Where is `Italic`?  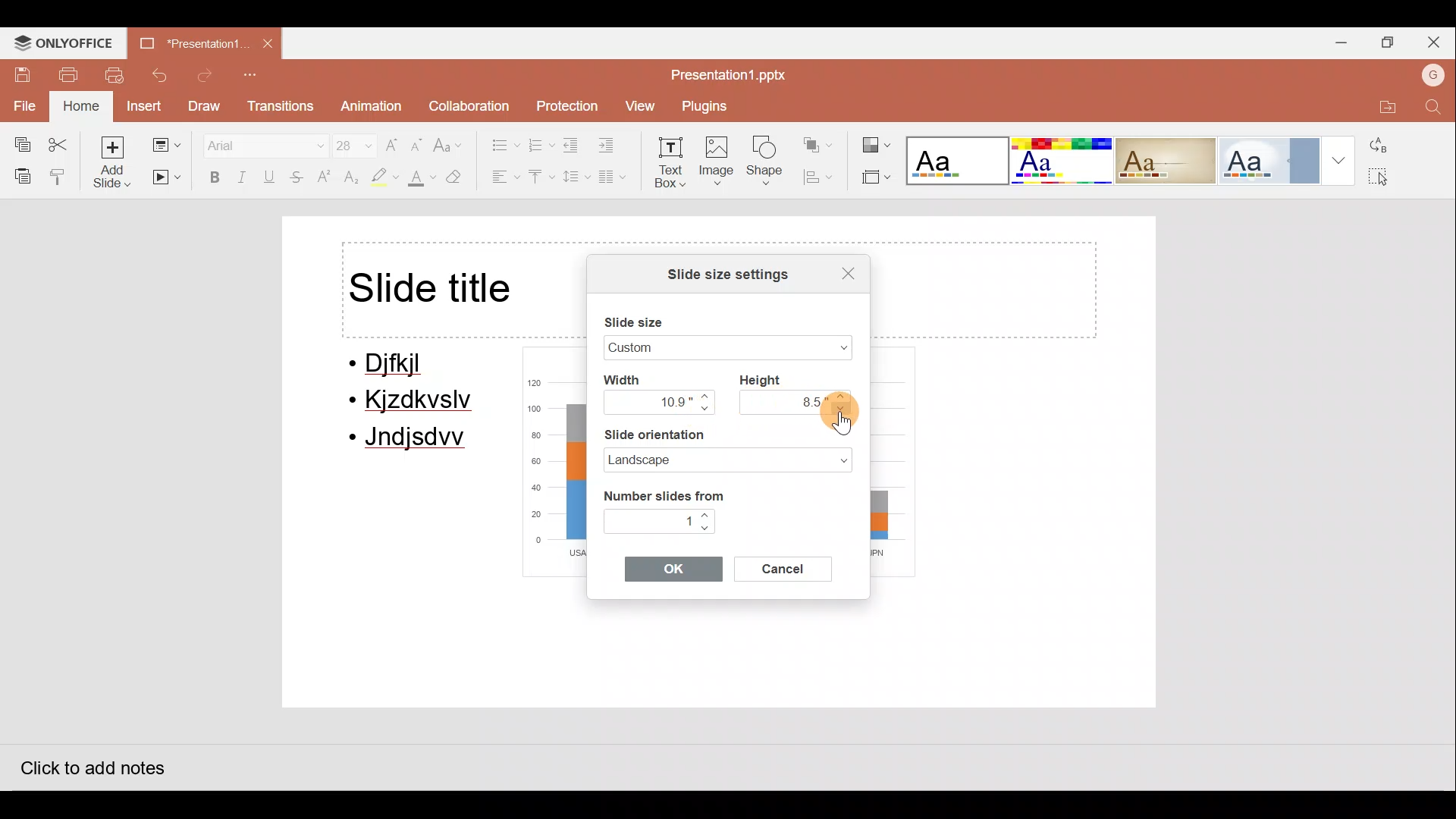
Italic is located at coordinates (243, 176).